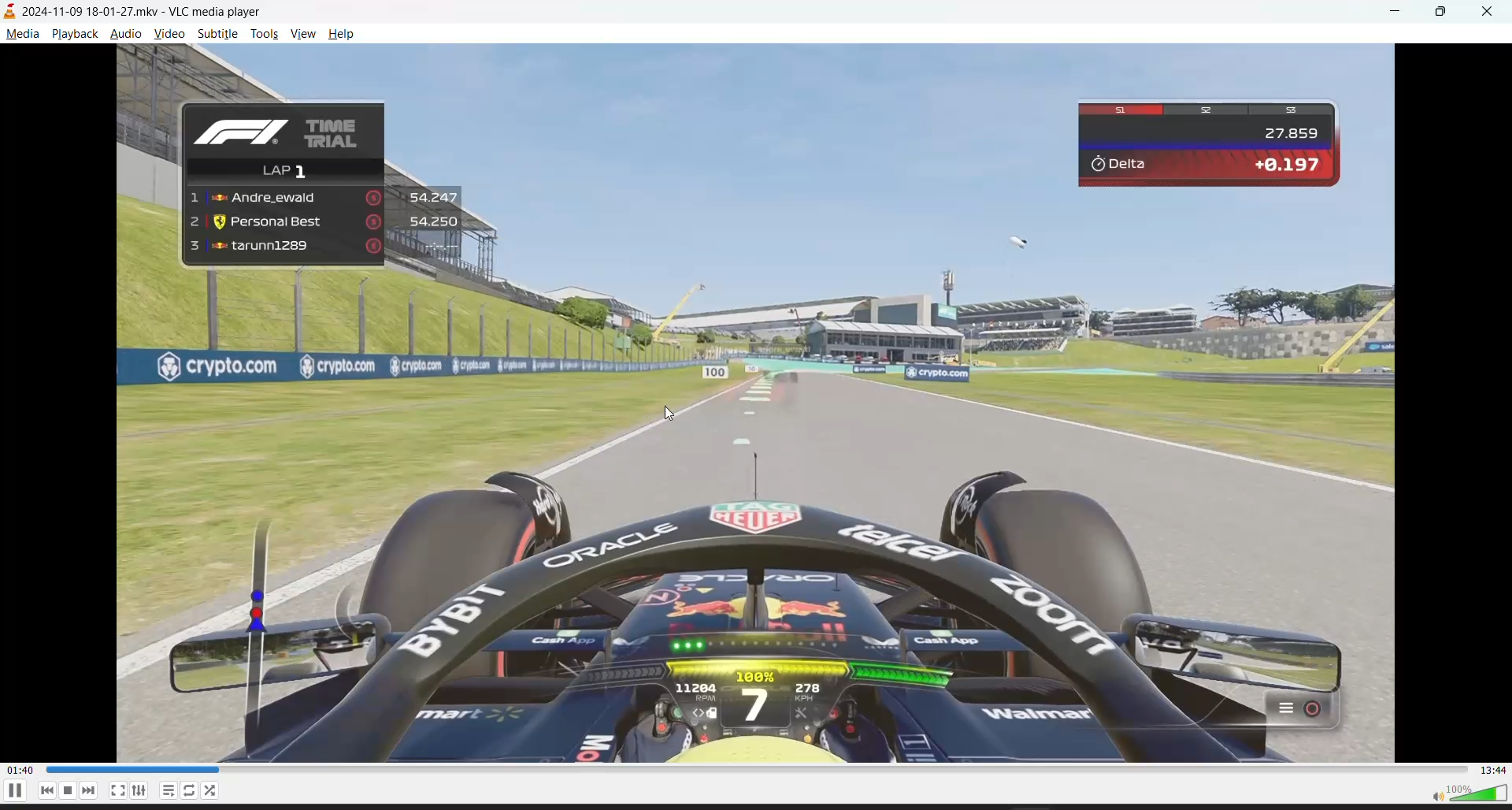  What do you see at coordinates (212, 790) in the screenshot?
I see `random` at bounding box center [212, 790].